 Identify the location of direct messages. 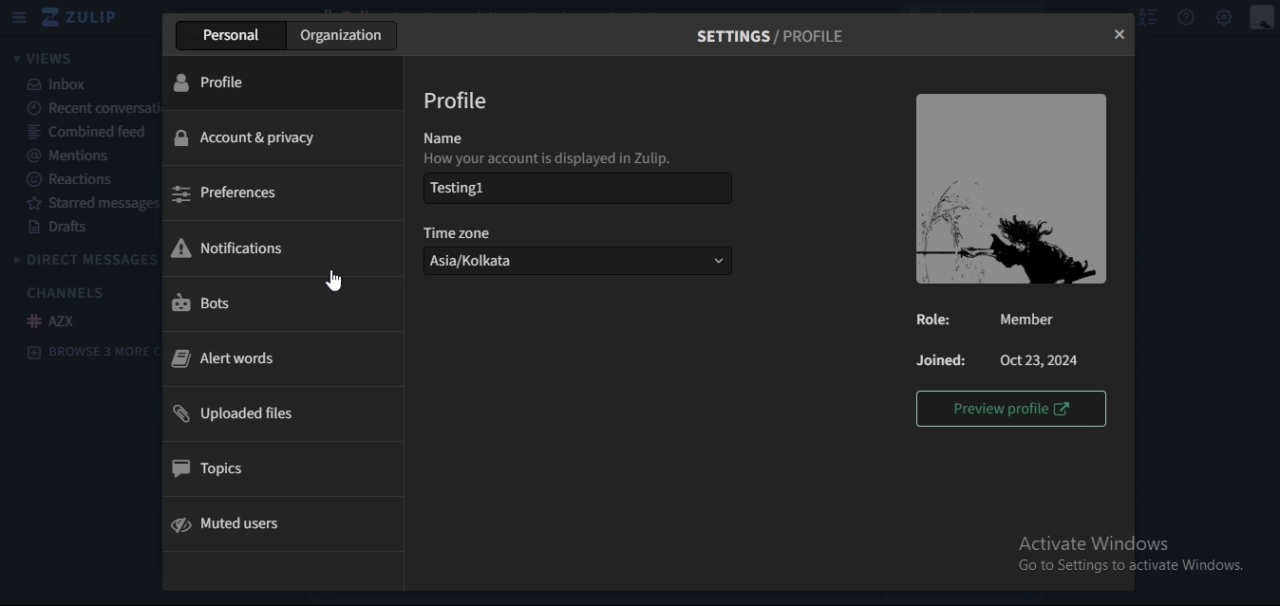
(88, 258).